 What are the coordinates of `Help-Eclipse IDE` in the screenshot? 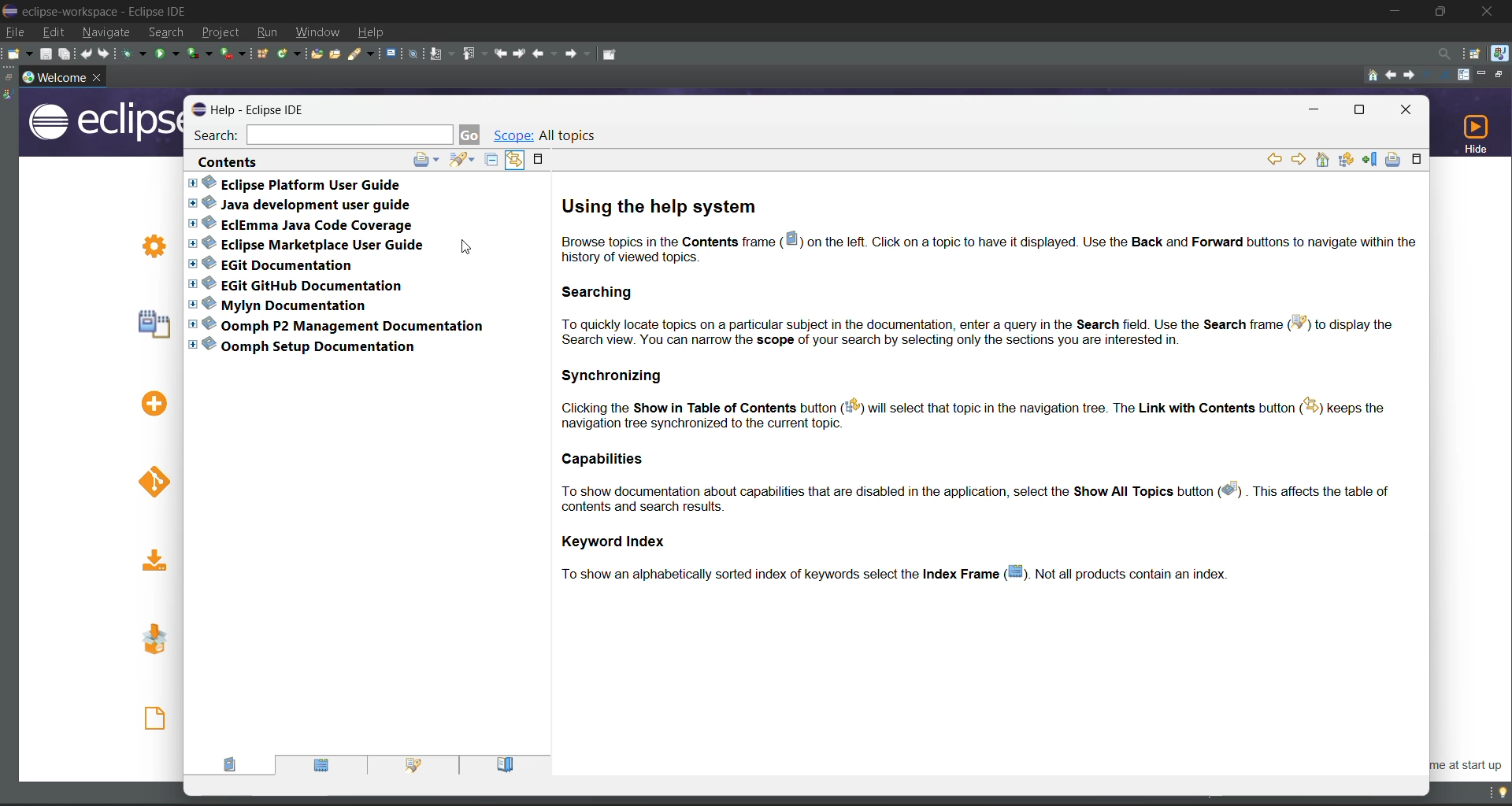 It's located at (258, 109).